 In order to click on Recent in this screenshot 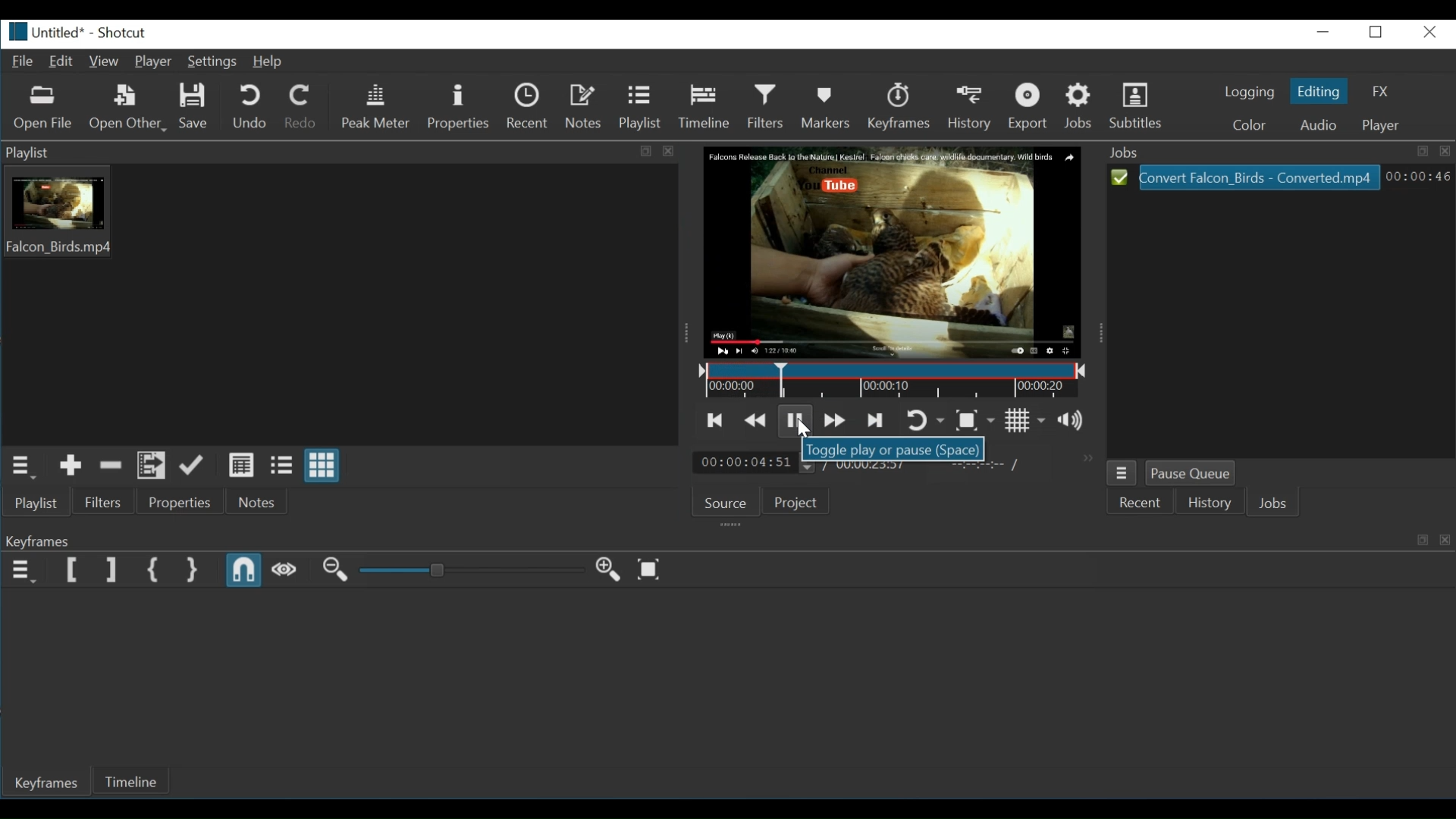, I will do `click(1141, 502)`.